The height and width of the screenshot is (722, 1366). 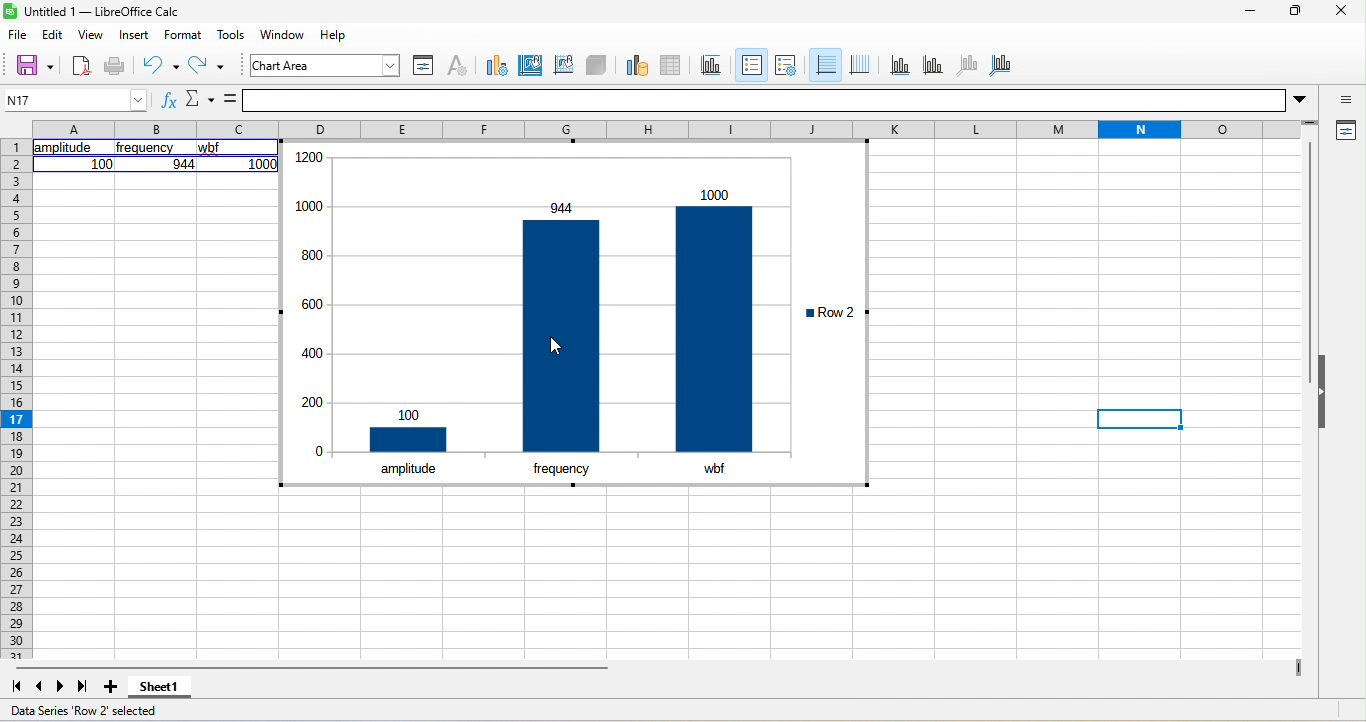 I want to click on wbf, so click(x=214, y=149).